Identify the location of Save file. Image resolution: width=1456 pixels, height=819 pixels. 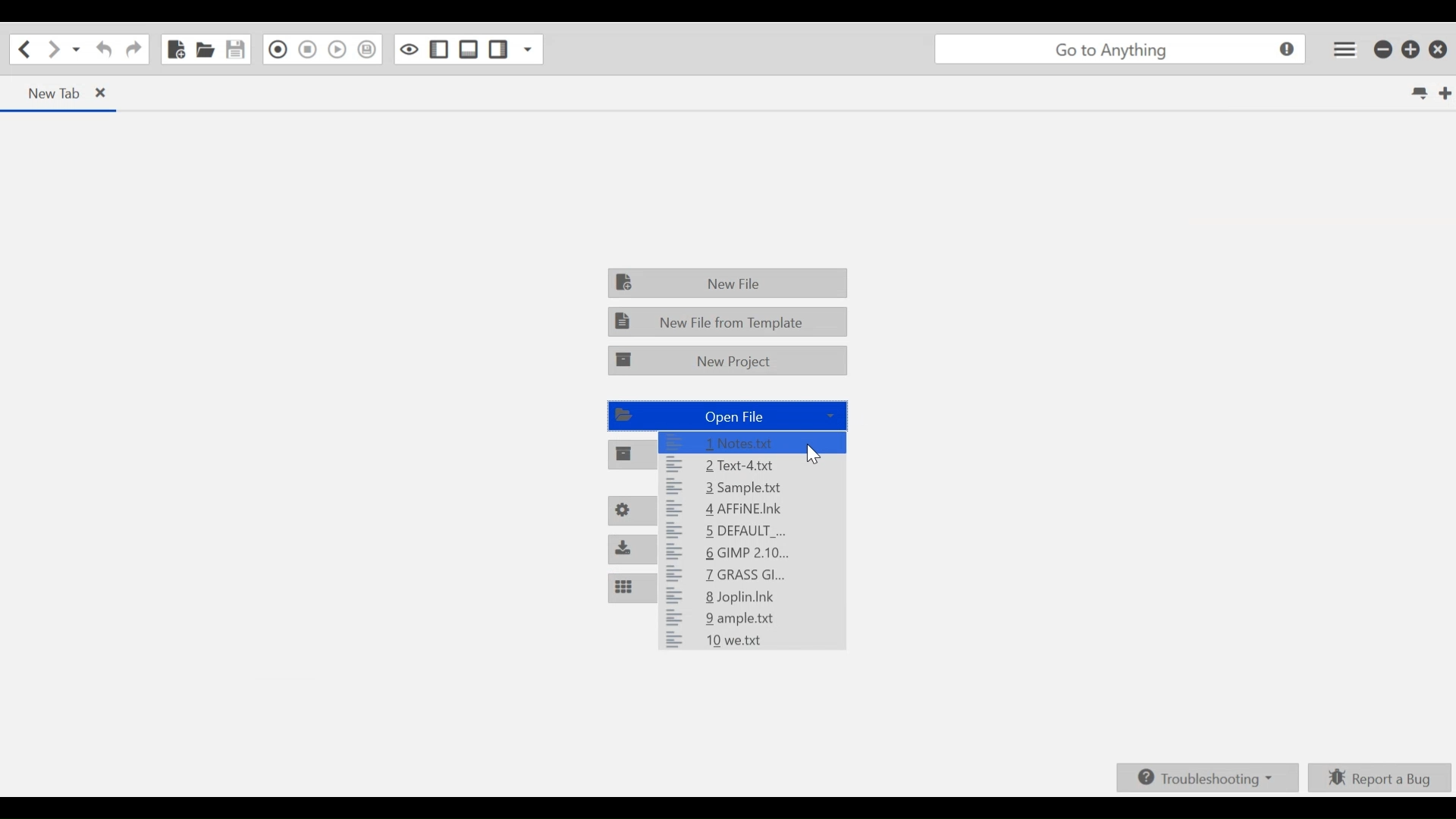
(236, 50).